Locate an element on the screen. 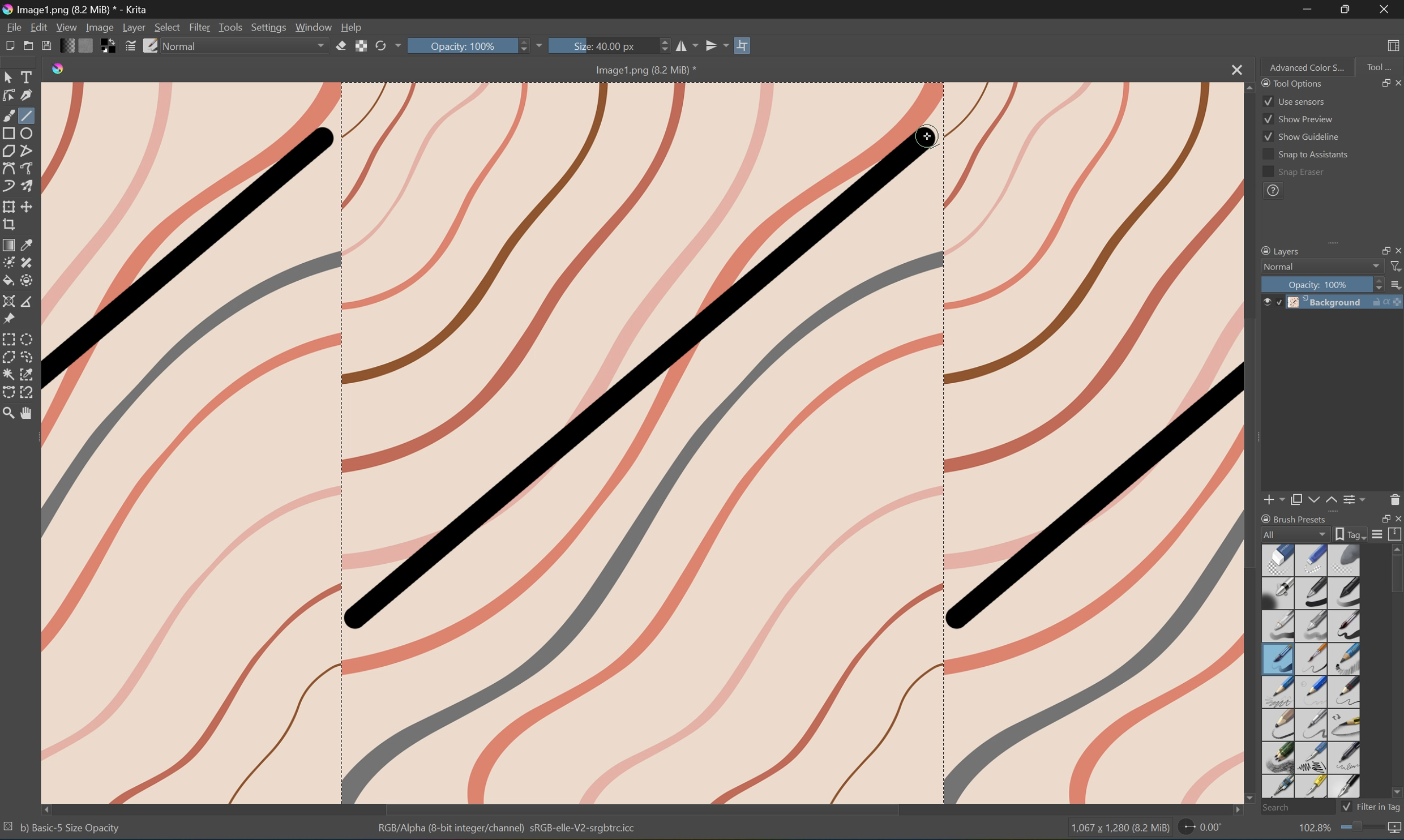 Image resolution: width=1404 pixels, height=840 pixels. Drop Down is located at coordinates (322, 46).